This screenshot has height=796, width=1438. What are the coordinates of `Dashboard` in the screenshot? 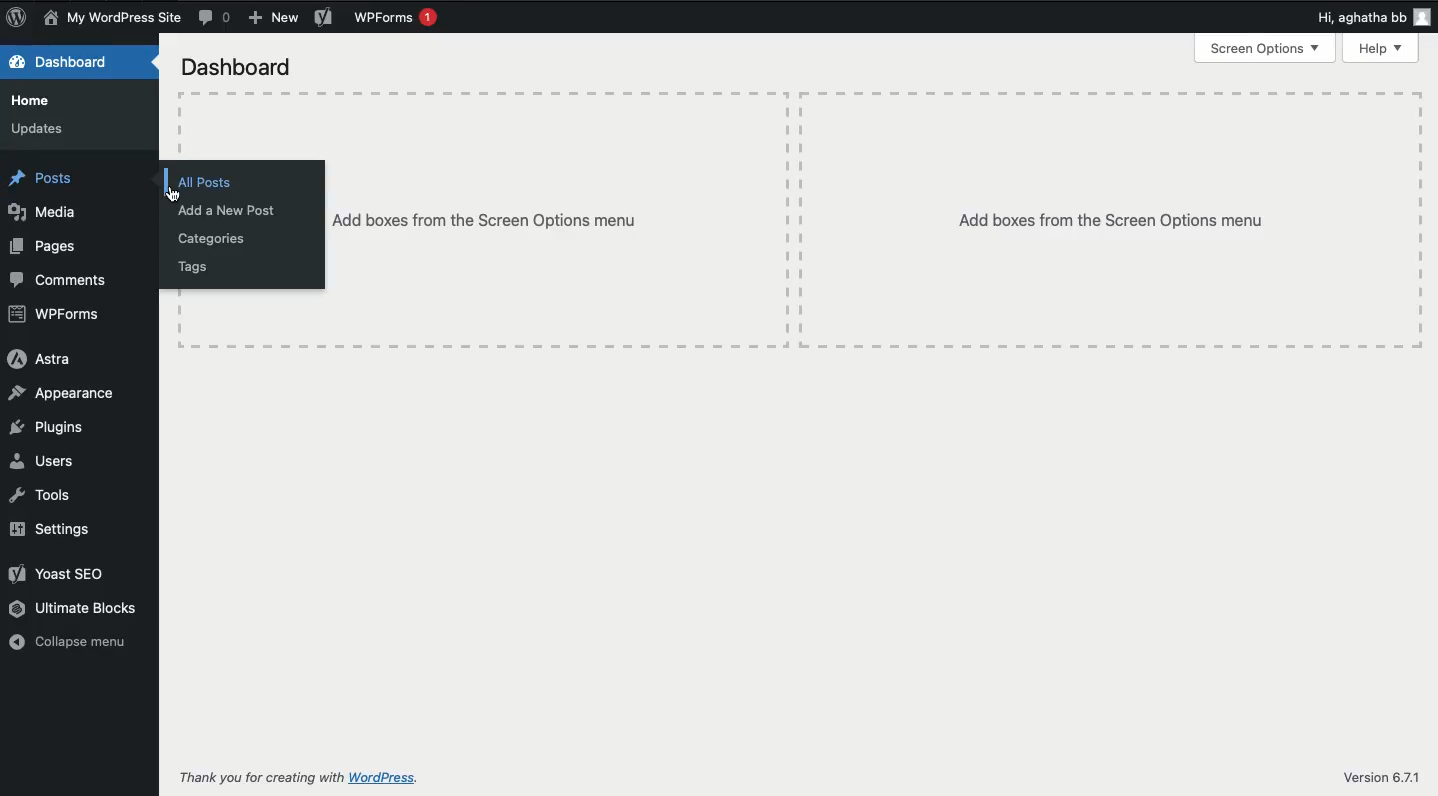 It's located at (239, 66).